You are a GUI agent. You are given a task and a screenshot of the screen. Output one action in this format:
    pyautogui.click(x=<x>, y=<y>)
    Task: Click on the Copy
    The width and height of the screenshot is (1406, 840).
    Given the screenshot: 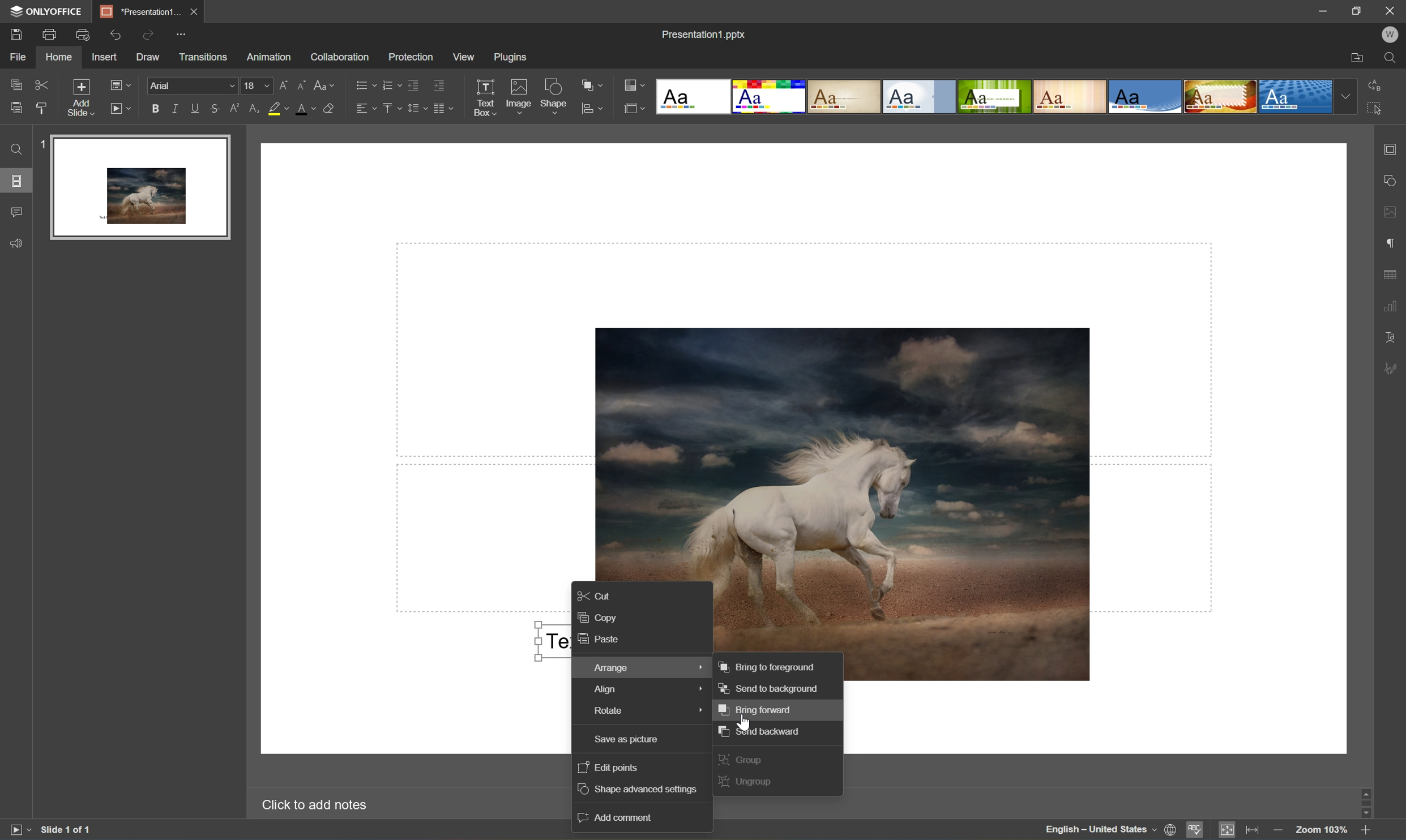 What is the action you would take?
    pyautogui.click(x=17, y=82)
    